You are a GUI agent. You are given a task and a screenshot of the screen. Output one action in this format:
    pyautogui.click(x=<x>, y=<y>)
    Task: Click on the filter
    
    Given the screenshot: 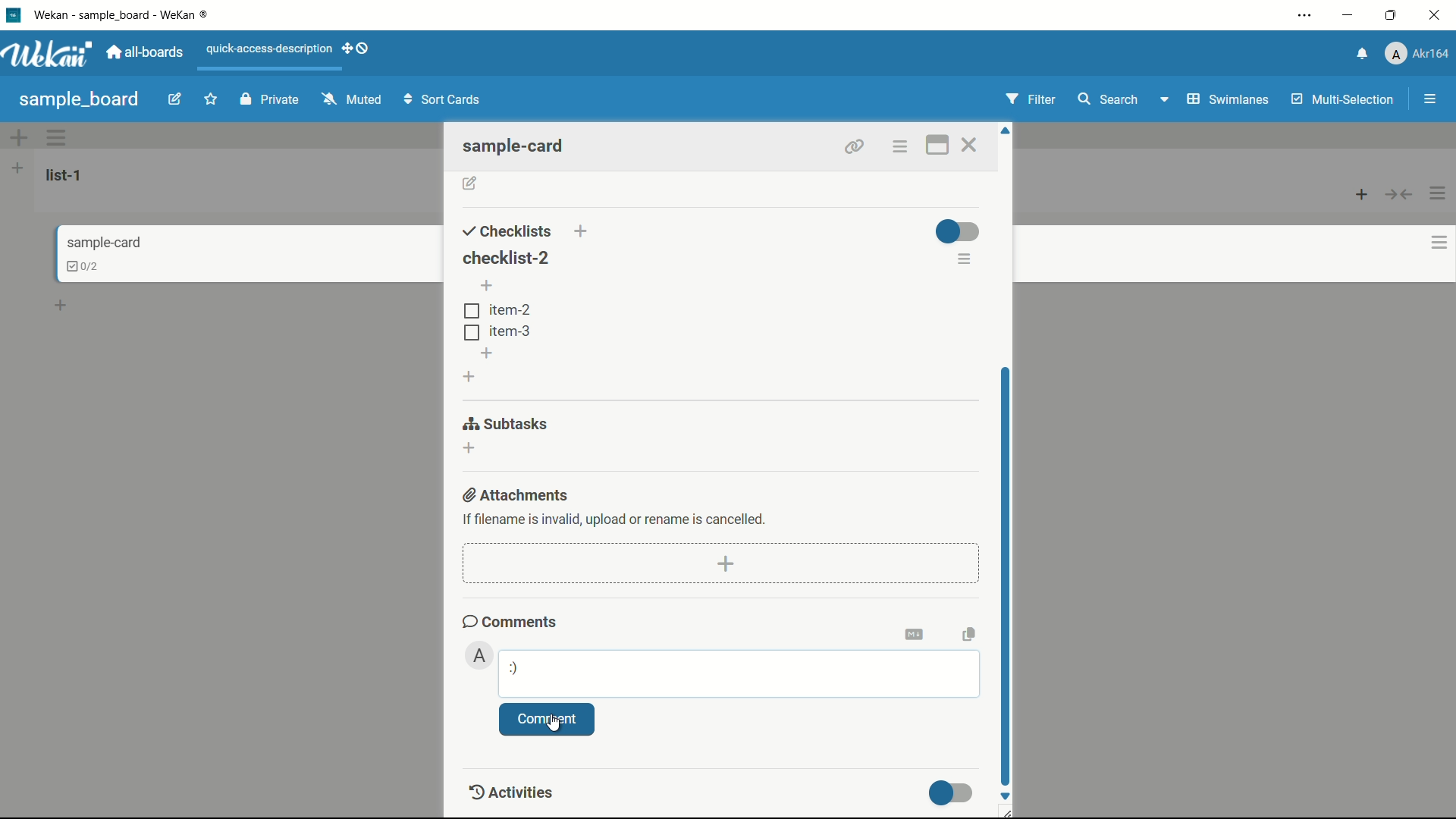 What is the action you would take?
    pyautogui.click(x=1032, y=99)
    